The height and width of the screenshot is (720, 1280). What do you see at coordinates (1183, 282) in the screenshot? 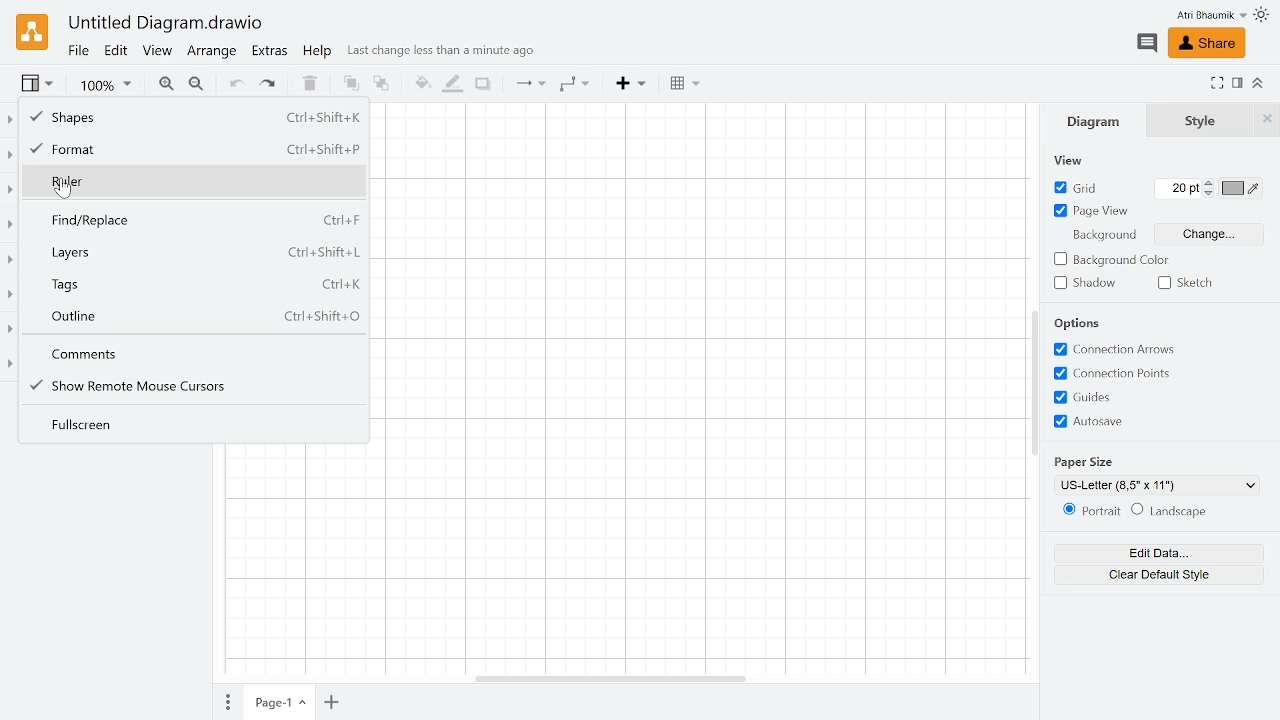
I see `Sketch` at bounding box center [1183, 282].